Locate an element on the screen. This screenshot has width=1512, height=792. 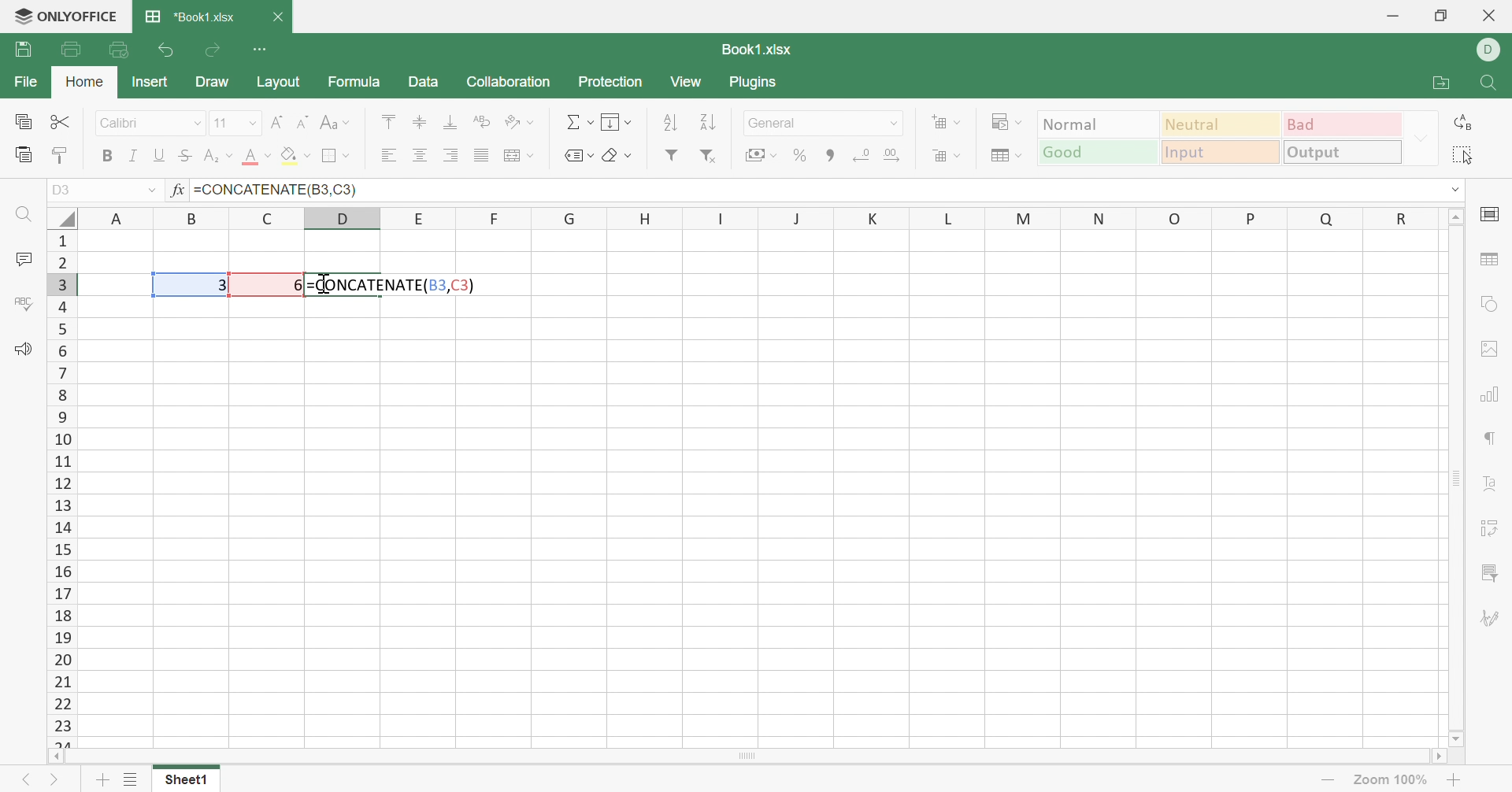
Copy is located at coordinates (23, 120).